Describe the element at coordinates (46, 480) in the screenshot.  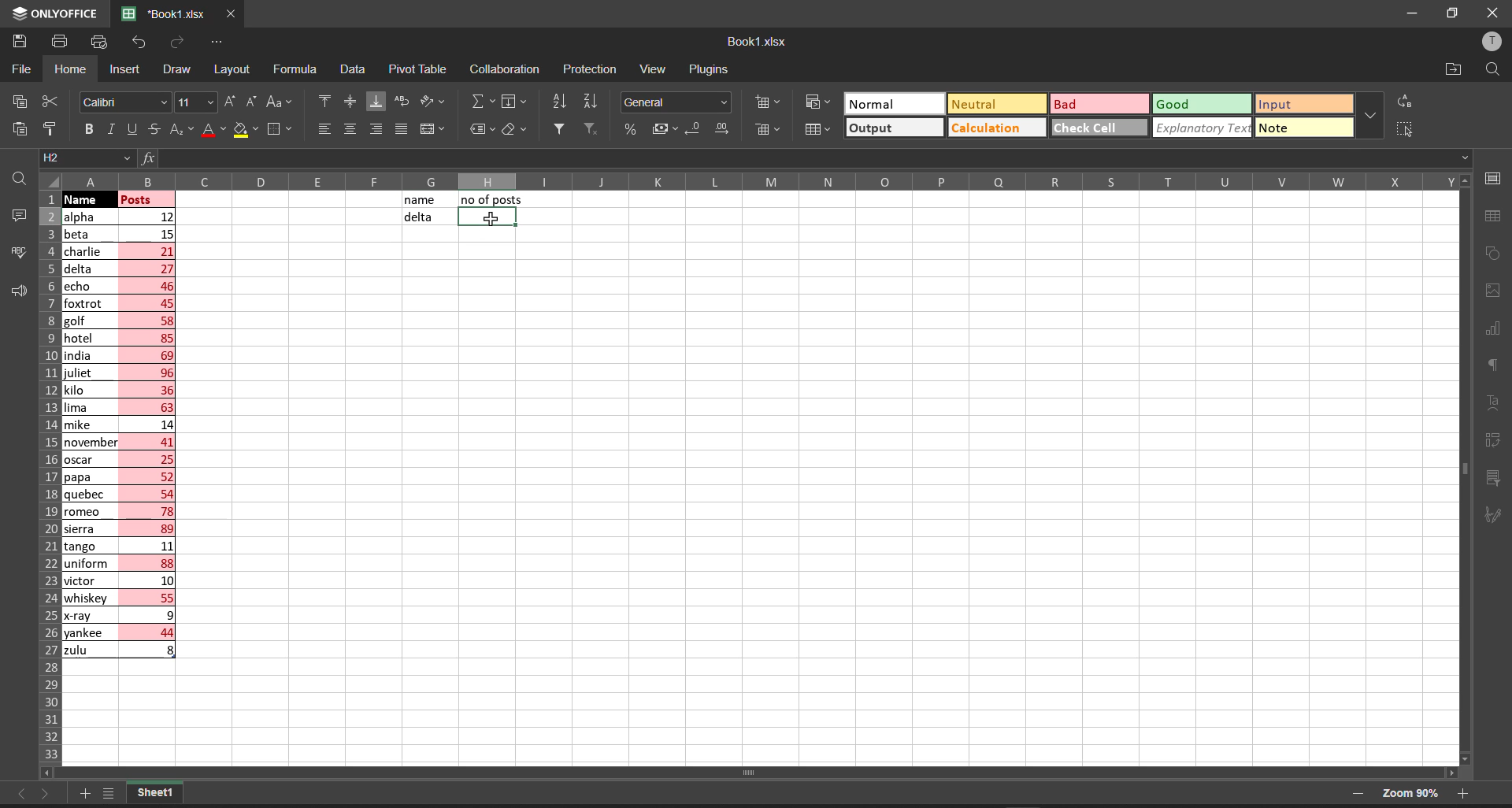
I see `row names` at that location.